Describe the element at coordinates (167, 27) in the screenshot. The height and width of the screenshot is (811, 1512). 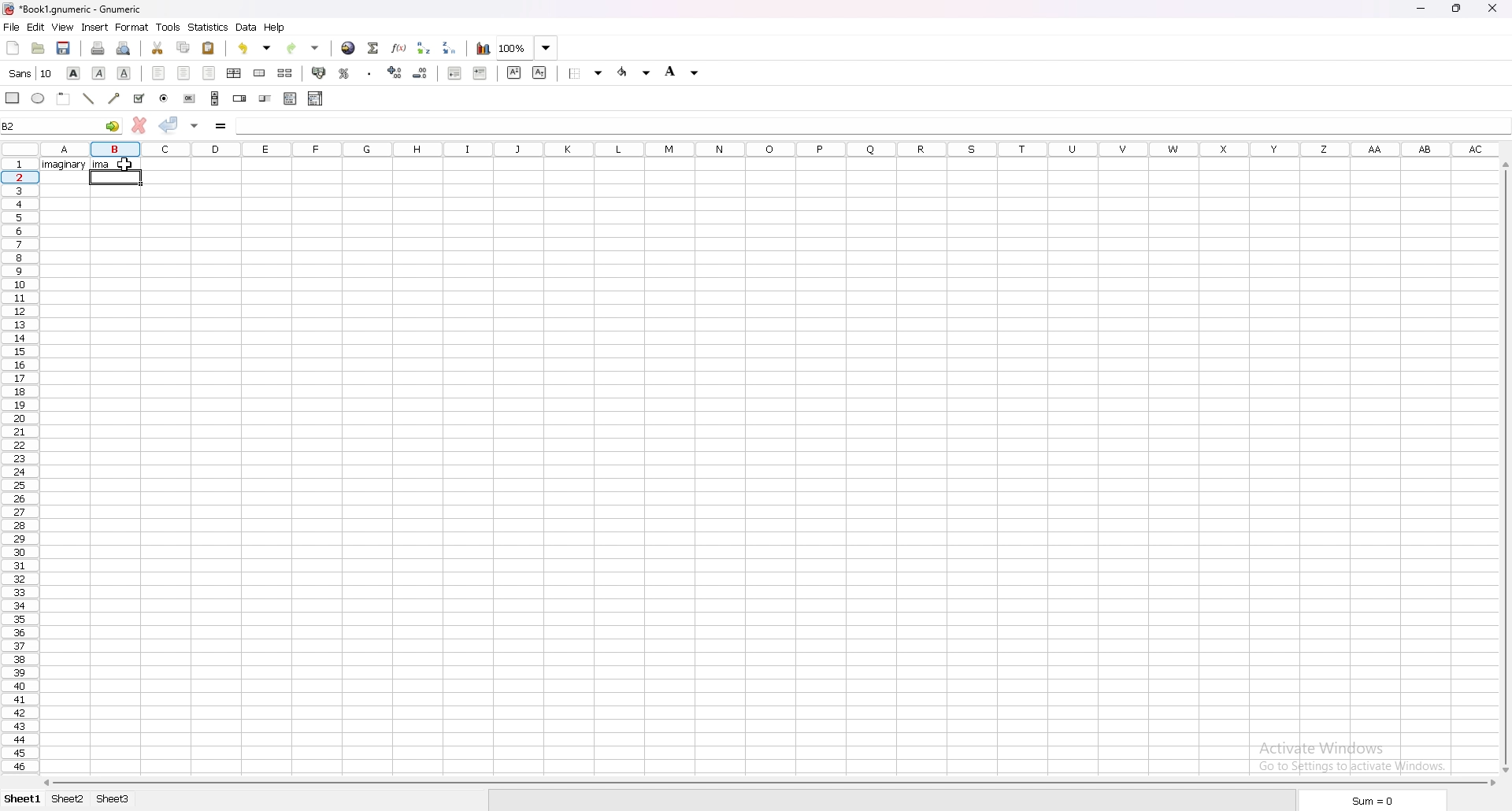
I see `tools` at that location.